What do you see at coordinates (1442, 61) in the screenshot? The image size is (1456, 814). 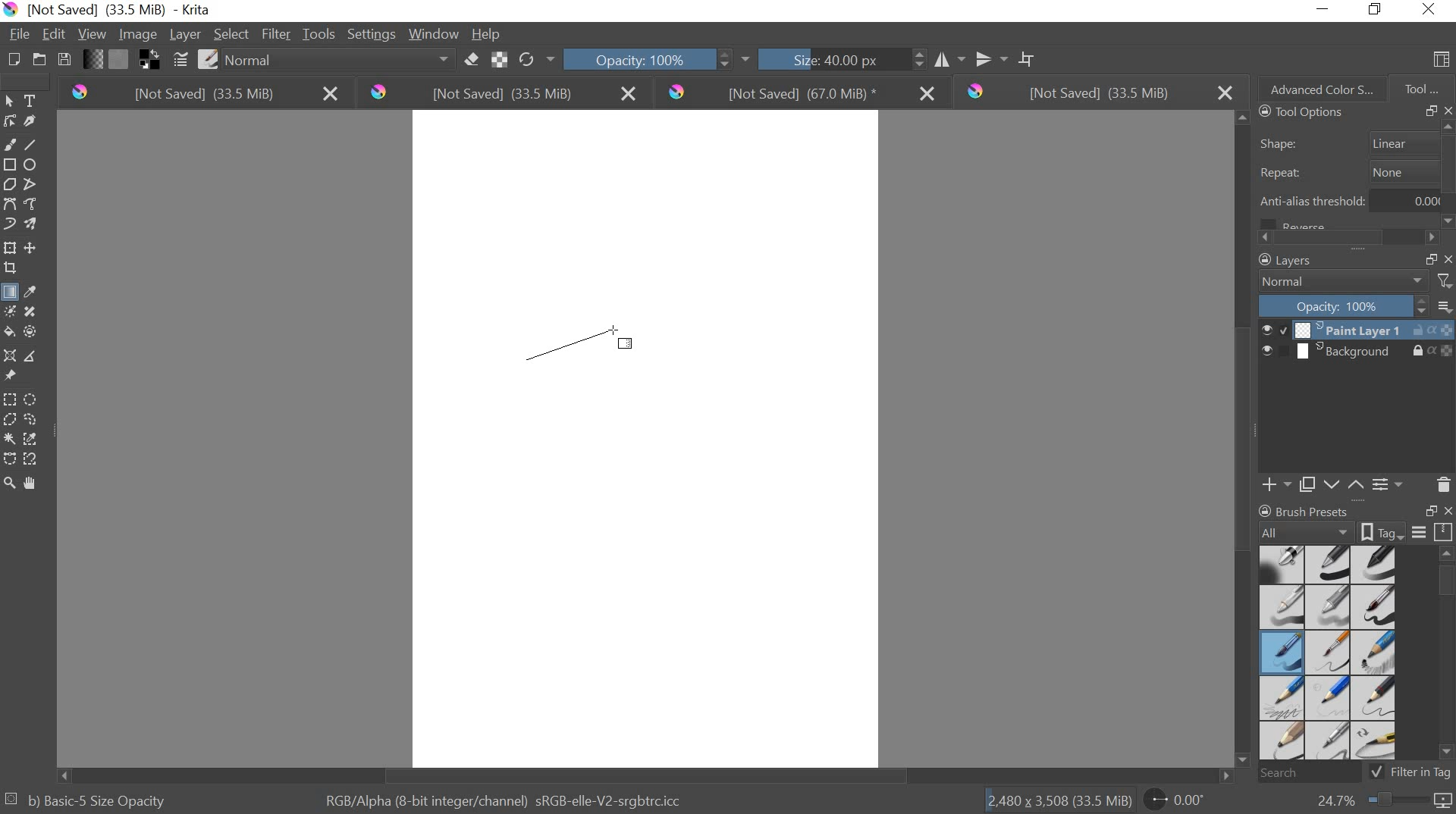 I see `CHOOSE WORKSPACE` at bounding box center [1442, 61].